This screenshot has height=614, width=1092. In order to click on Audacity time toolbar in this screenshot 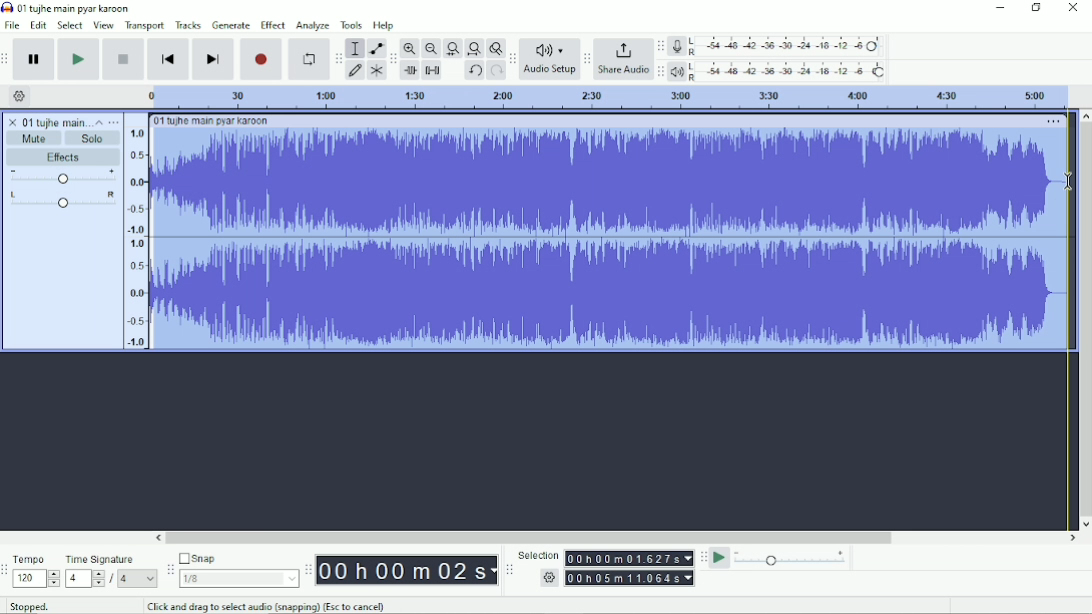, I will do `click(308, 569)`.